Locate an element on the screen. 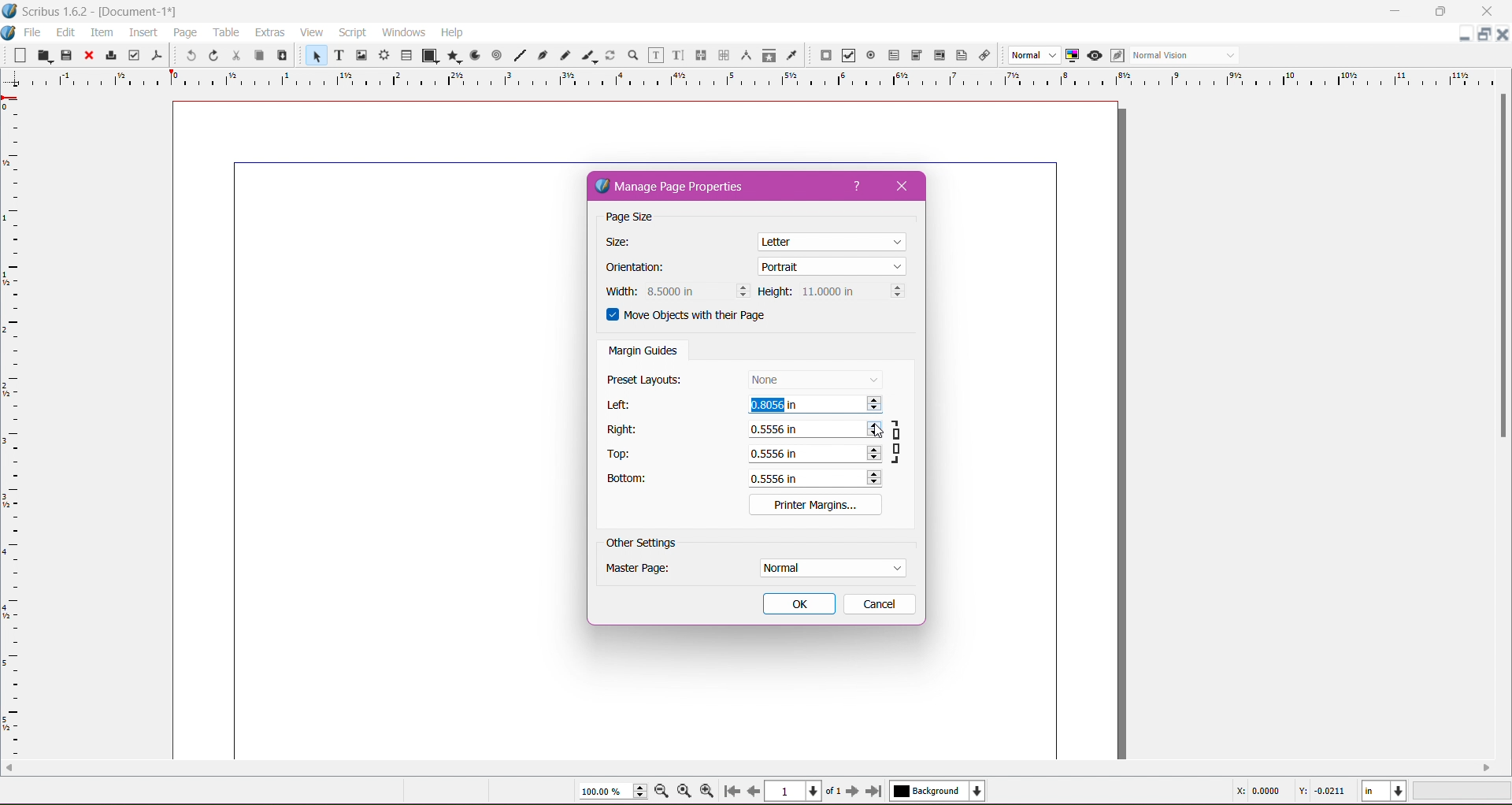 The height and width of the screenshot is (805, 1512). Text Frame is located at coordinates (338, 55).